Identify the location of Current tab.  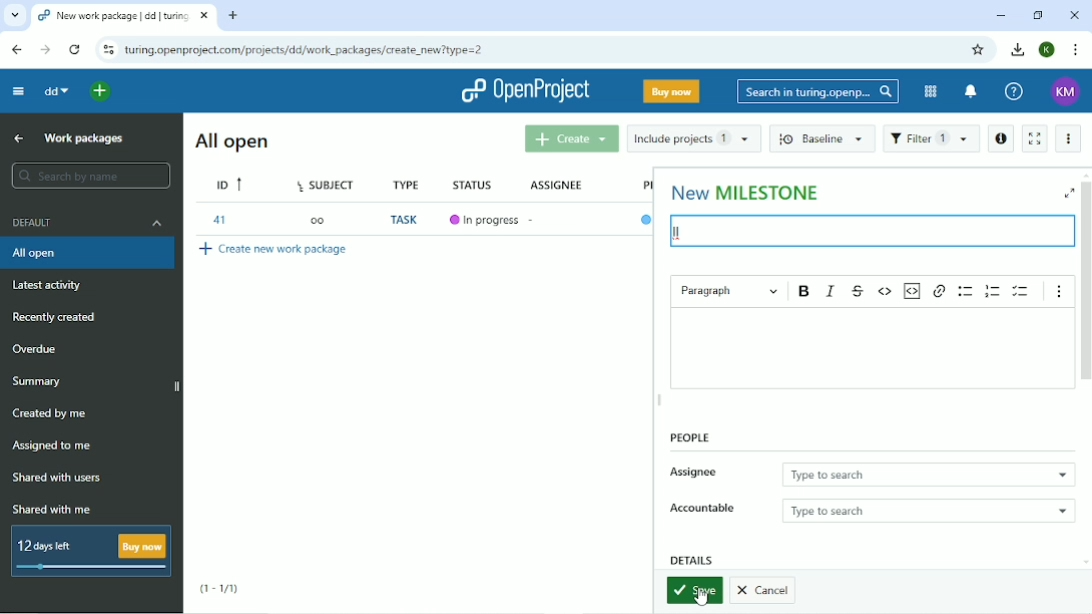
(125, 15).